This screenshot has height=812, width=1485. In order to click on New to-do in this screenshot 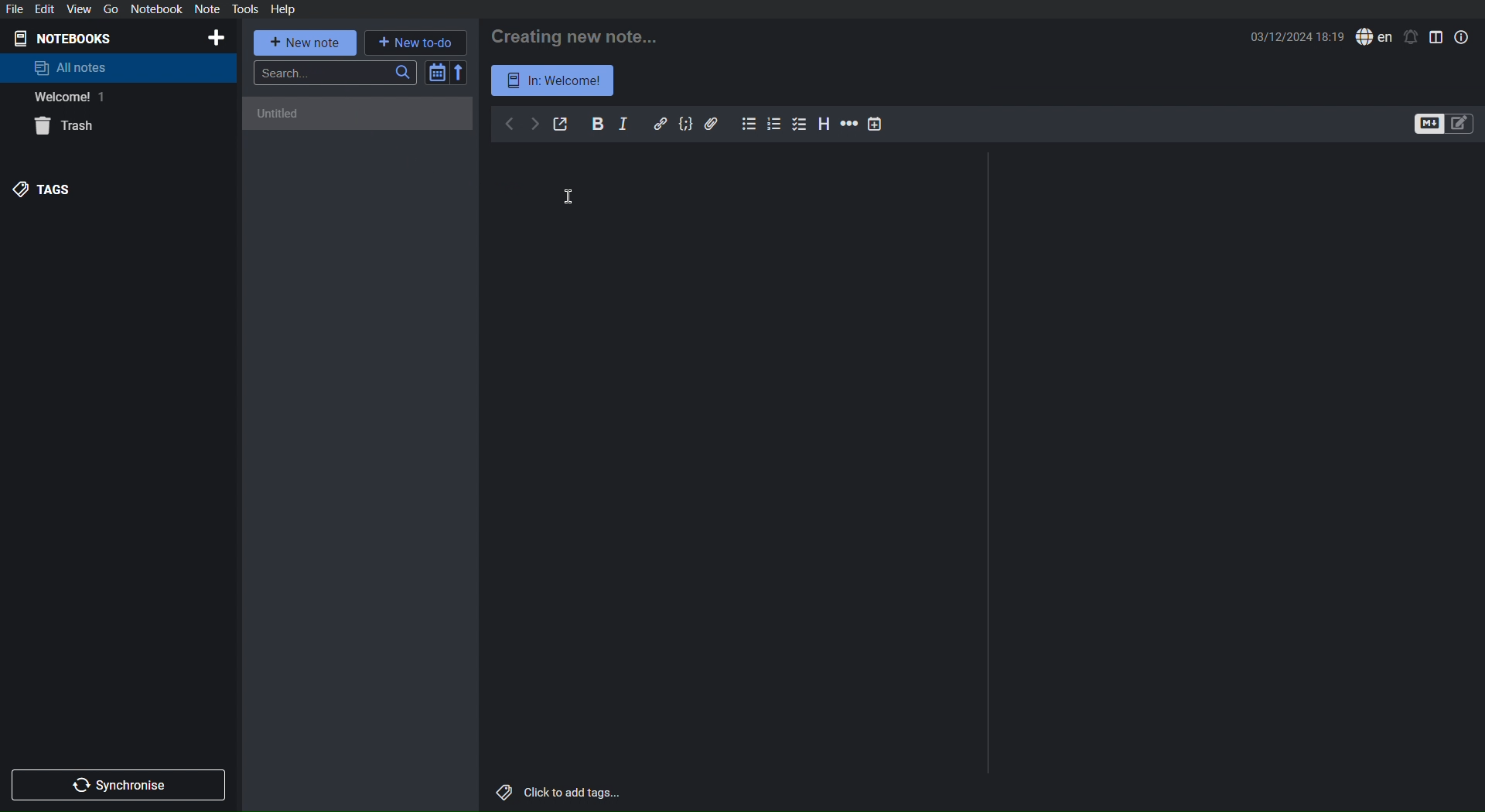, I will do `click(415, 41)`.